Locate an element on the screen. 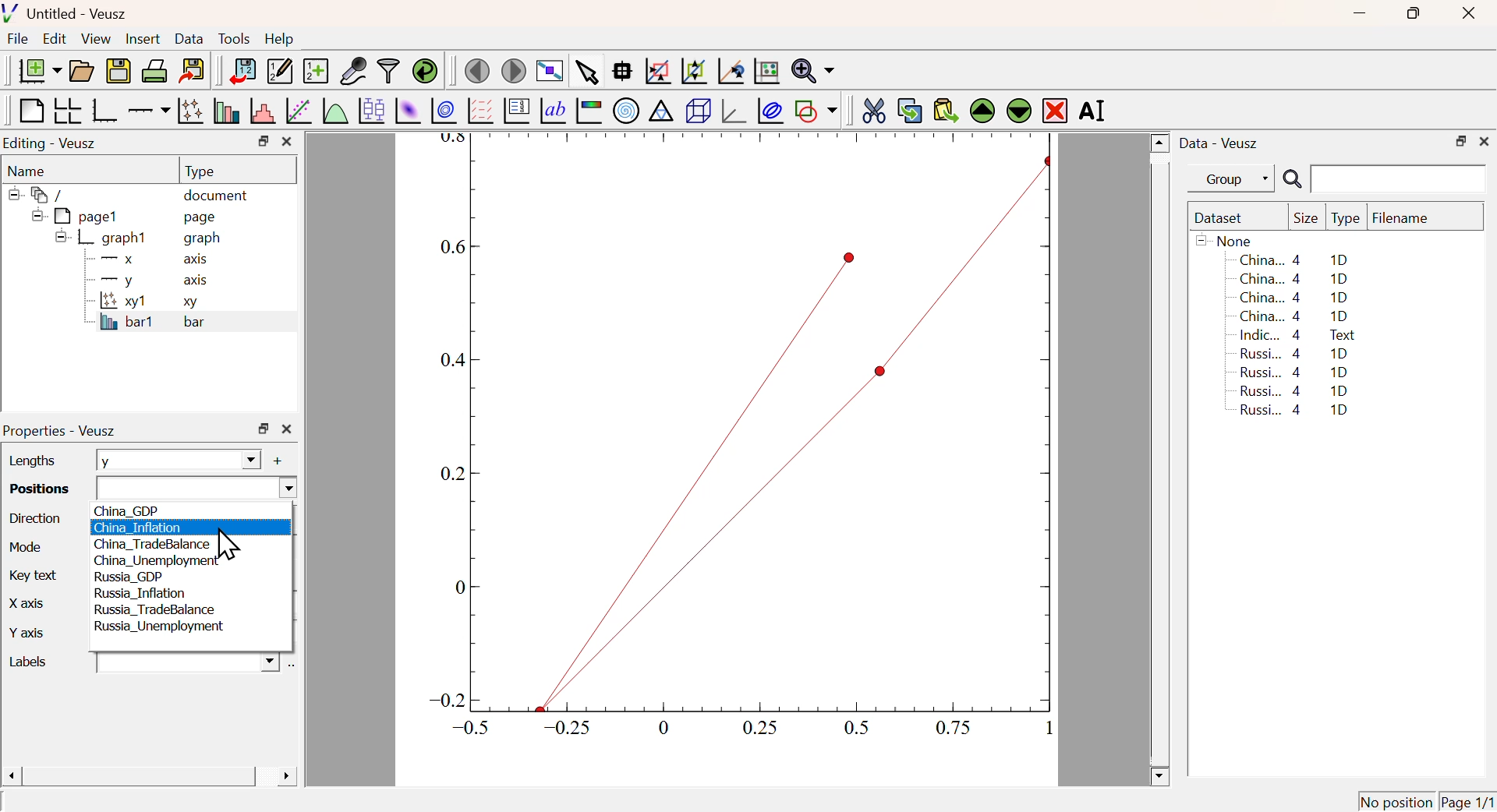 The height and width of the screenshot is (812, 1497). Close is located at coordinates (1466, 15).